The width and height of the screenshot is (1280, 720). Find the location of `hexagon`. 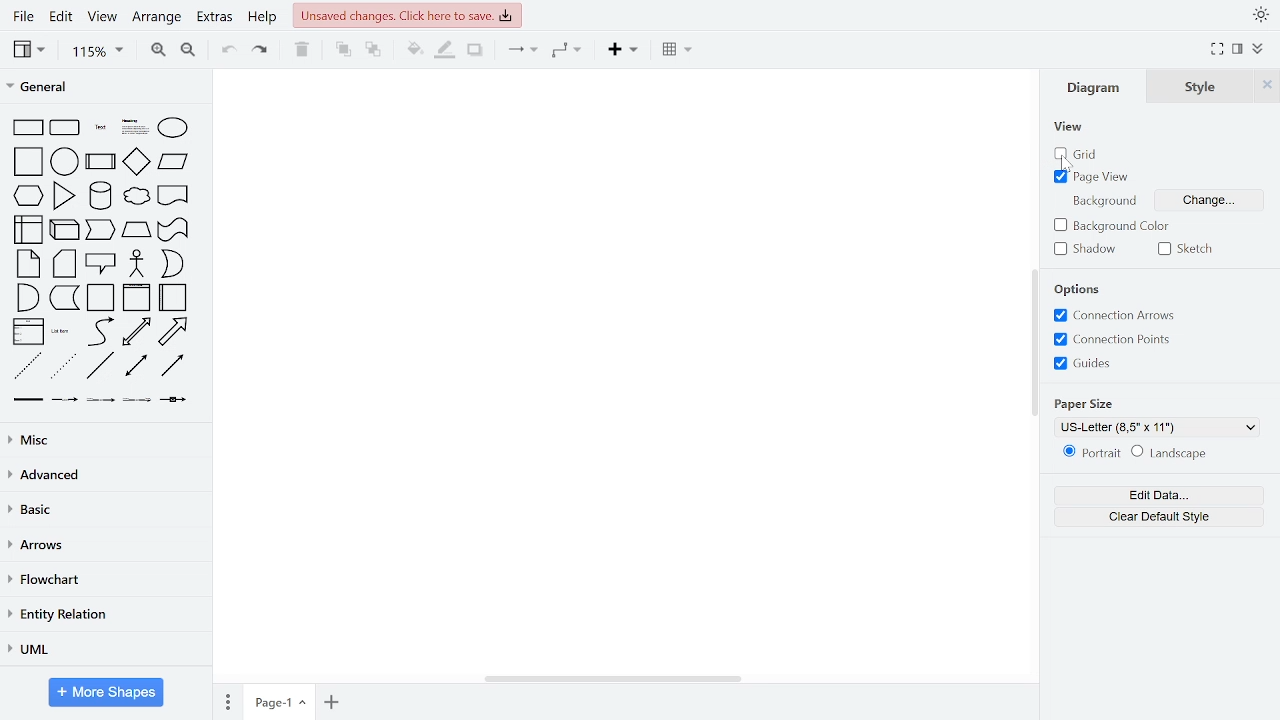

hexagon is located at coordinates (29, 197).